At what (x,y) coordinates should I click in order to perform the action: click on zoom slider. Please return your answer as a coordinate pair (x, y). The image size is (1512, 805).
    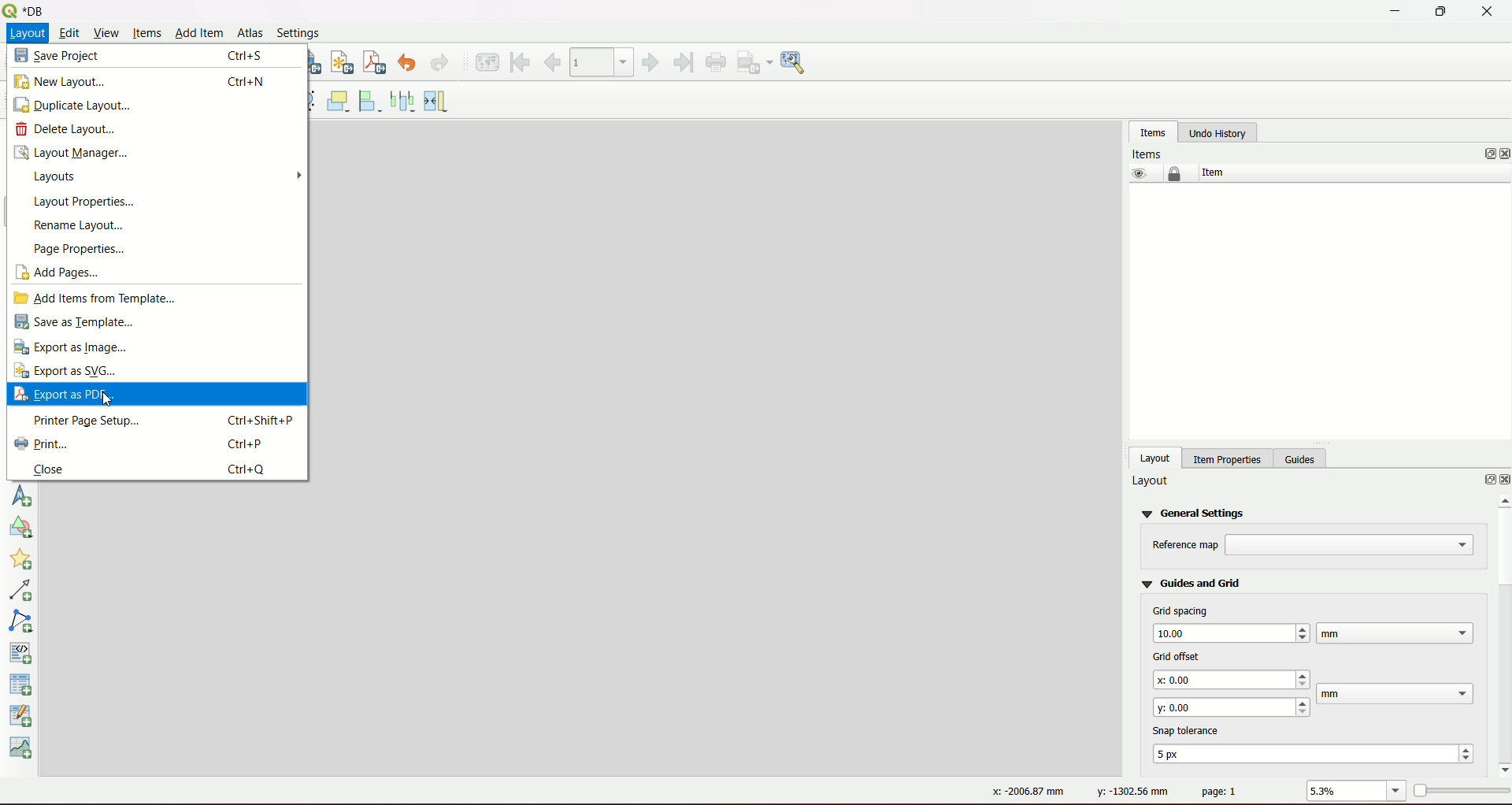
    Looking at the image, I should click on (1460, 789).